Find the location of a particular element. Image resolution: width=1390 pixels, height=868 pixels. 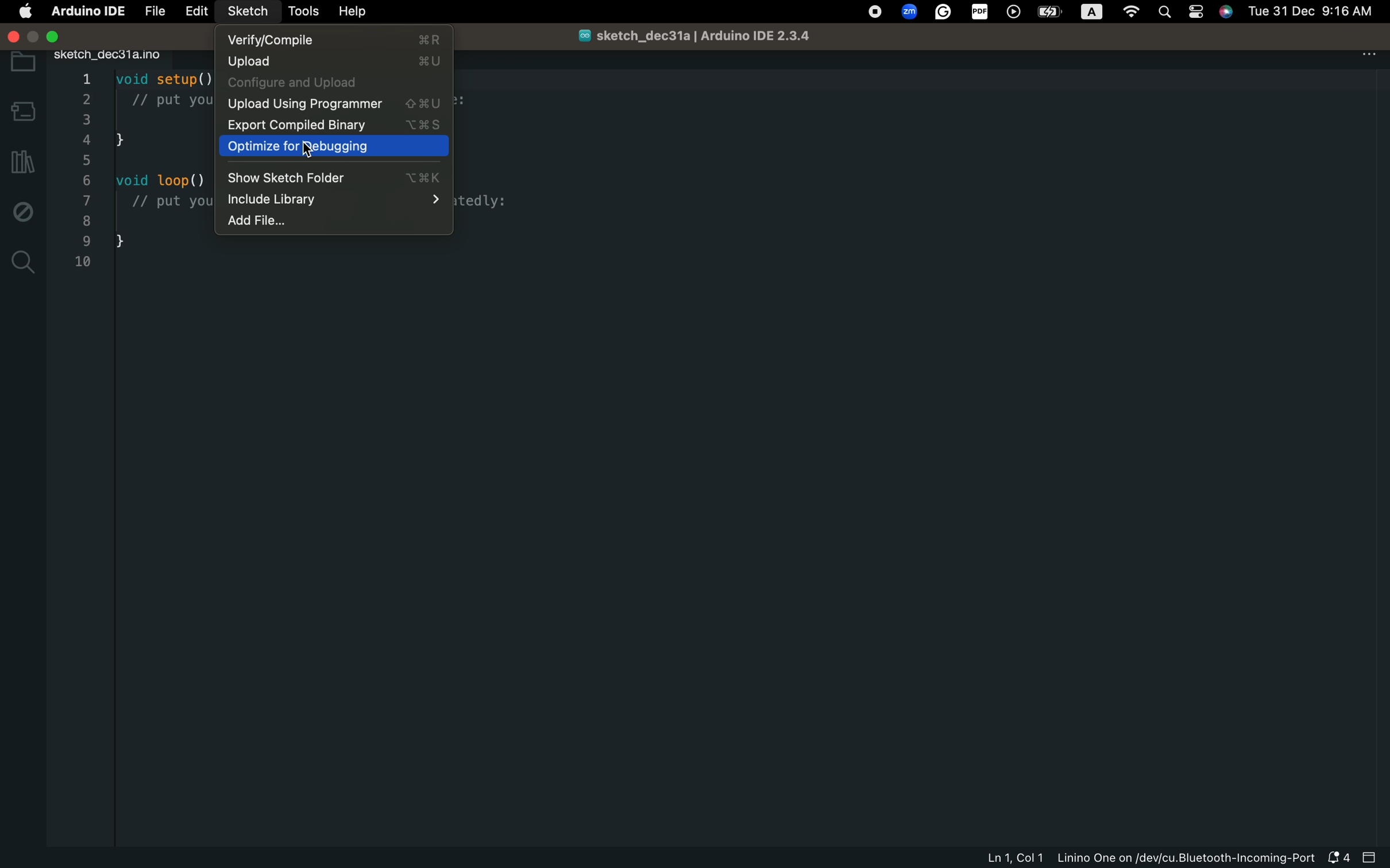

More Menu is located at coordinates (1373, 59).